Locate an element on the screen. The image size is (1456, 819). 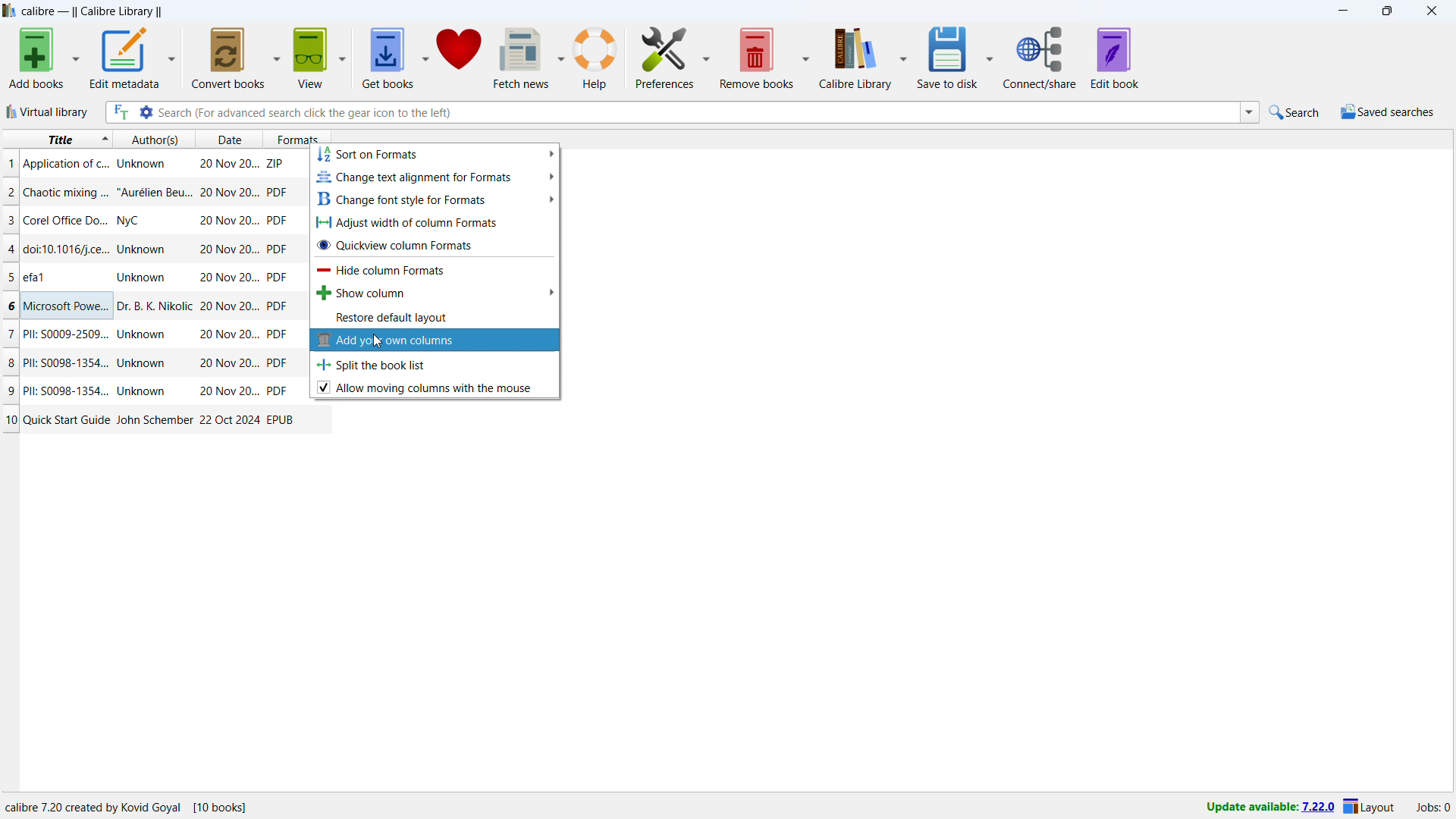
search history is located at coordinates (1249, 114).